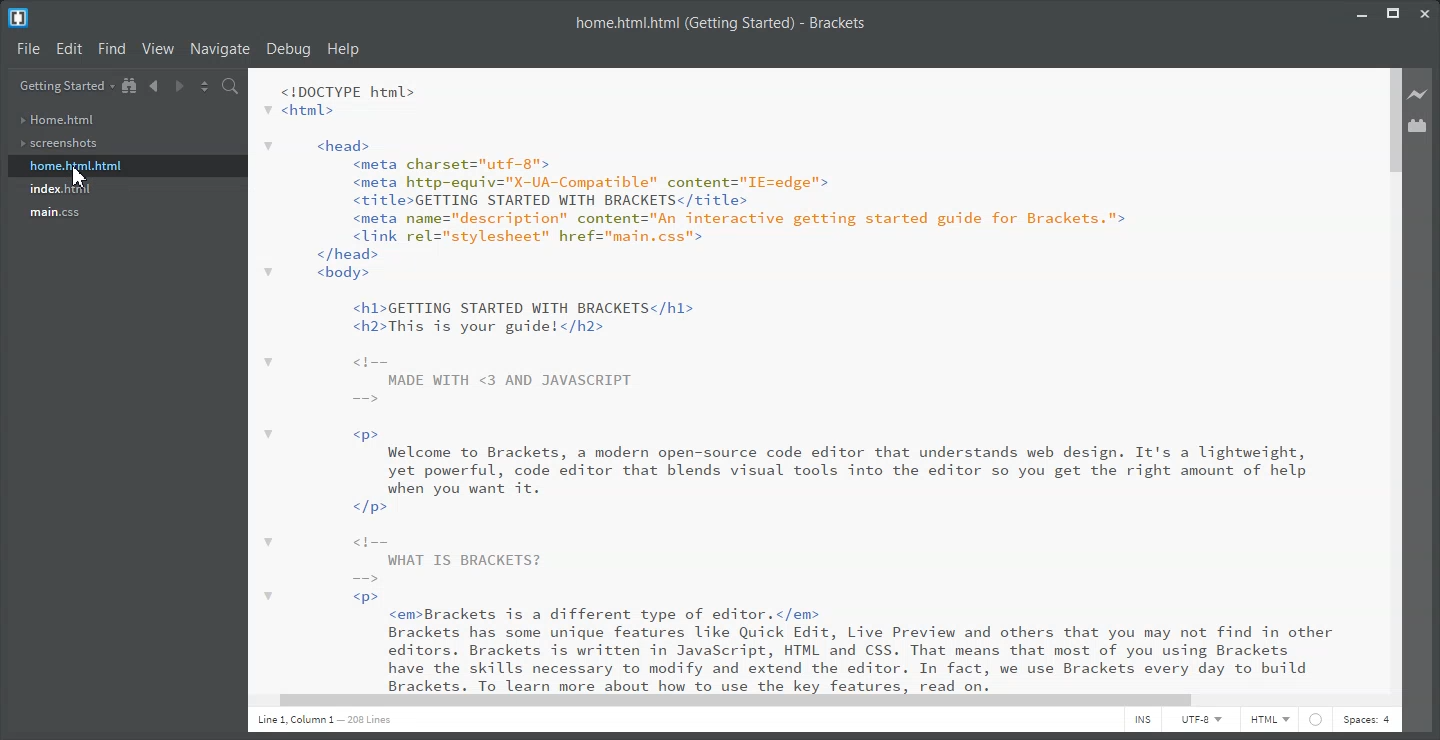 Image resolution: width=1440 pixels, height=740 pixels. Describe the element at coordinates (19, 18) in the screenshot. I see `Logo` at that location.